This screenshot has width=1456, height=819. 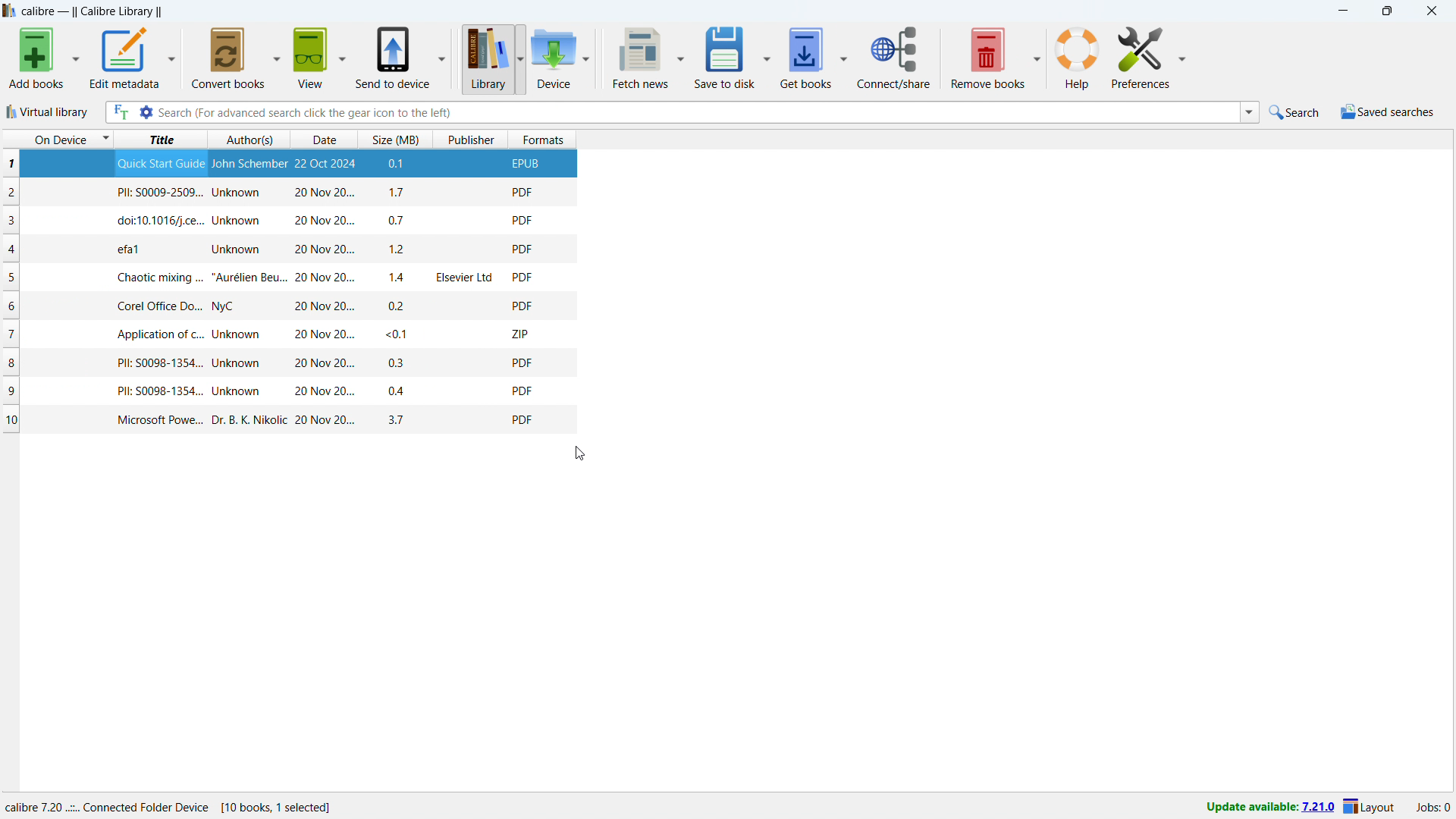 What do you see at coordinates (146, 111) in the screenshot?
I see `advanced search` at bounding box center [146, 111].